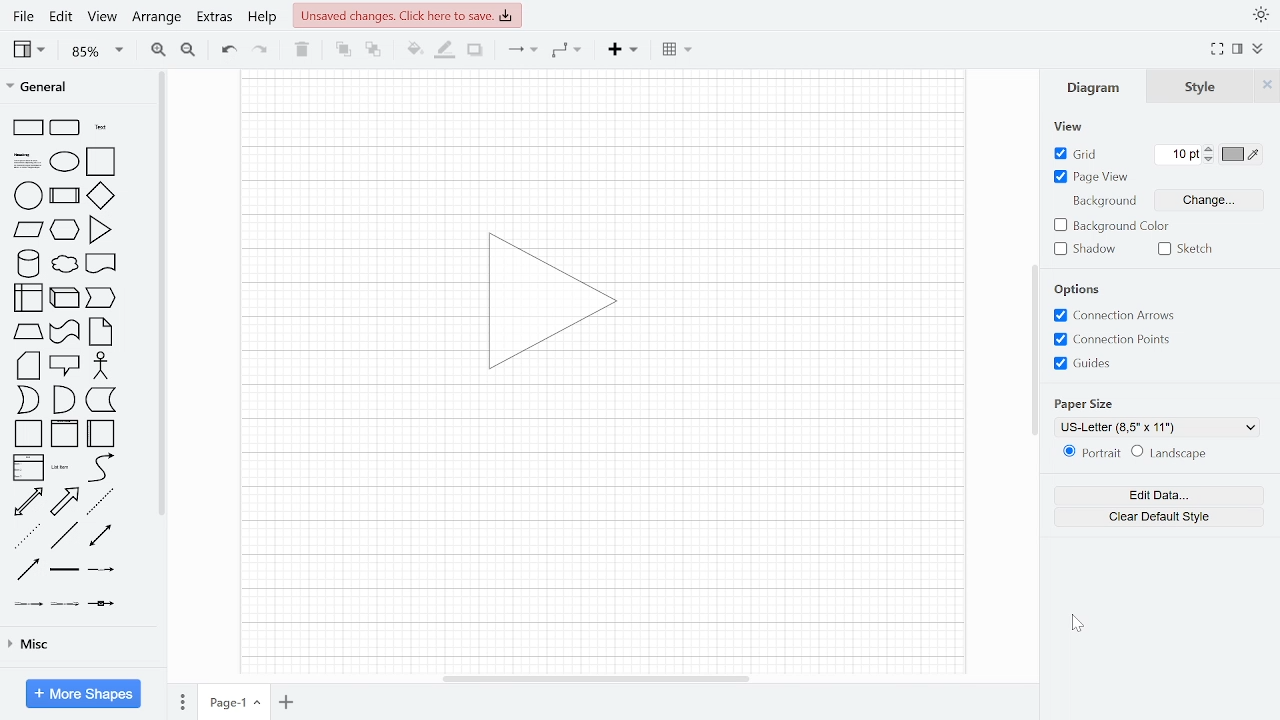  Describe the element at coordinates (65, 604) in the screenshot. I see `Connector with 3 labels` at that location.